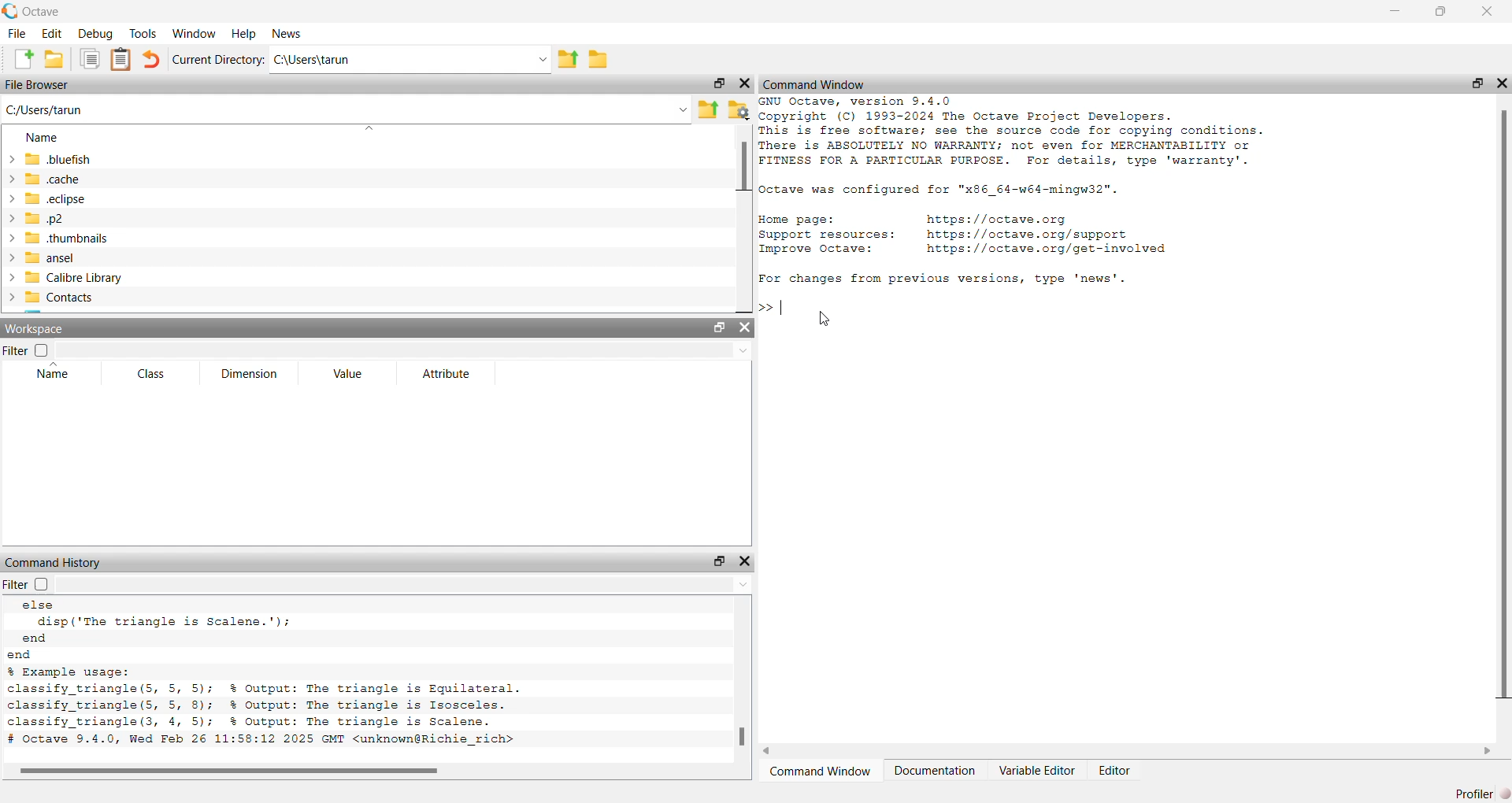 This screenshot has width=1512, height=803. I want to click on debug, so click(96, 33).